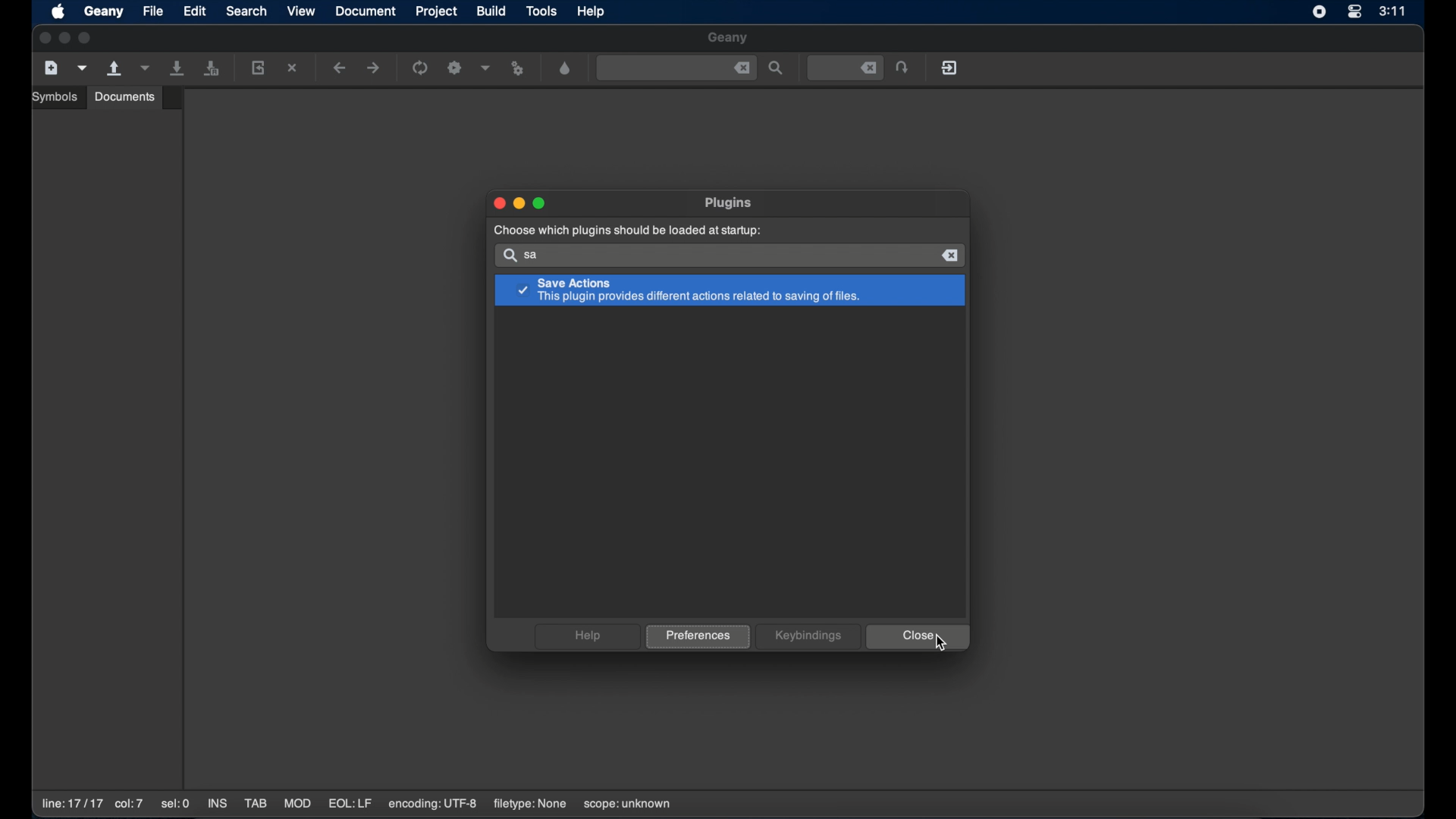  Describe the element at coordinates (128, 805) in the screenshot. I see `co:7` at that location.